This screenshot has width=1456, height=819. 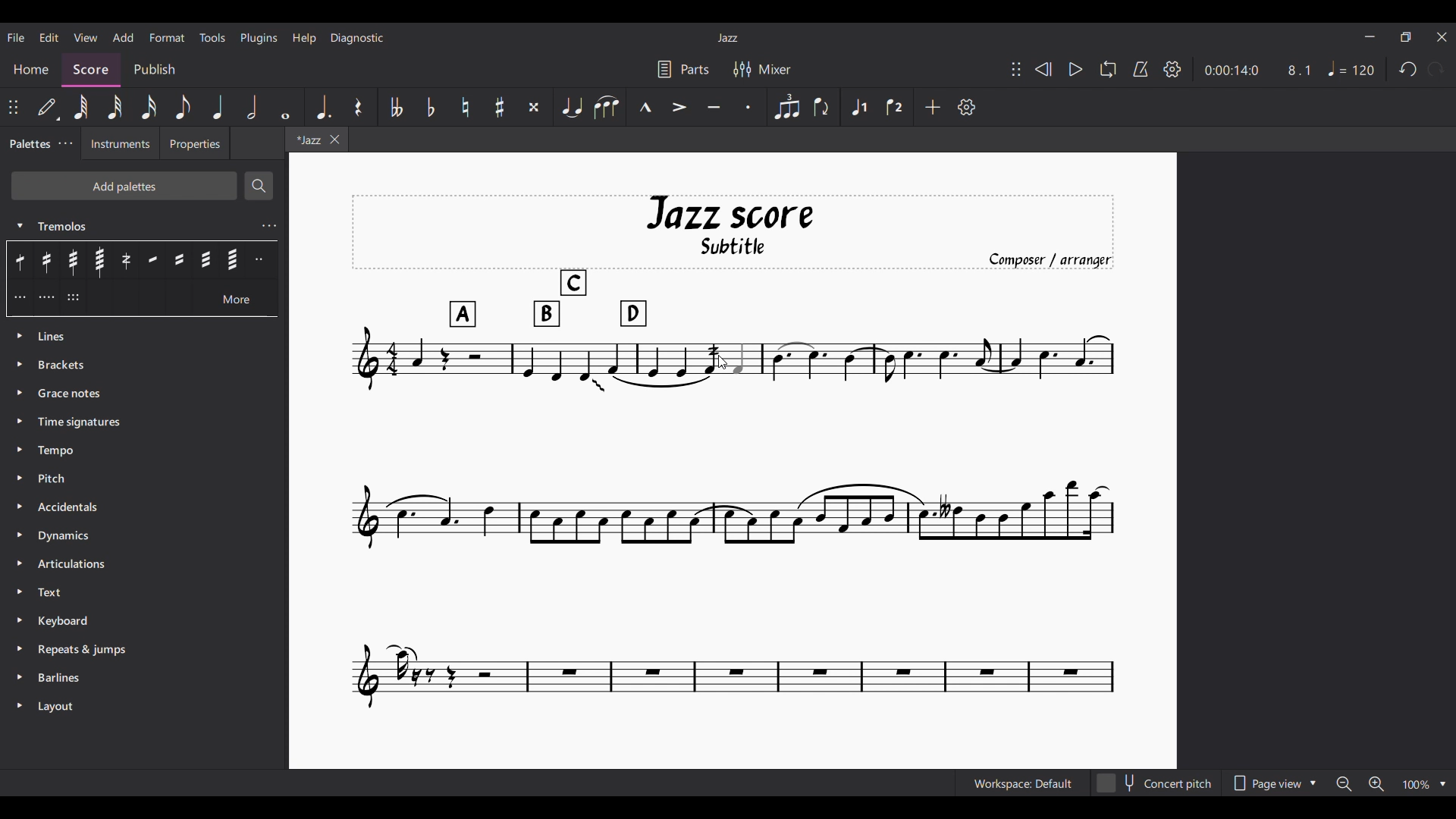 What do you see at coordinates (1442, 36) in the screenshot?
I see `Close interface` at bounding box center [1442, 36].